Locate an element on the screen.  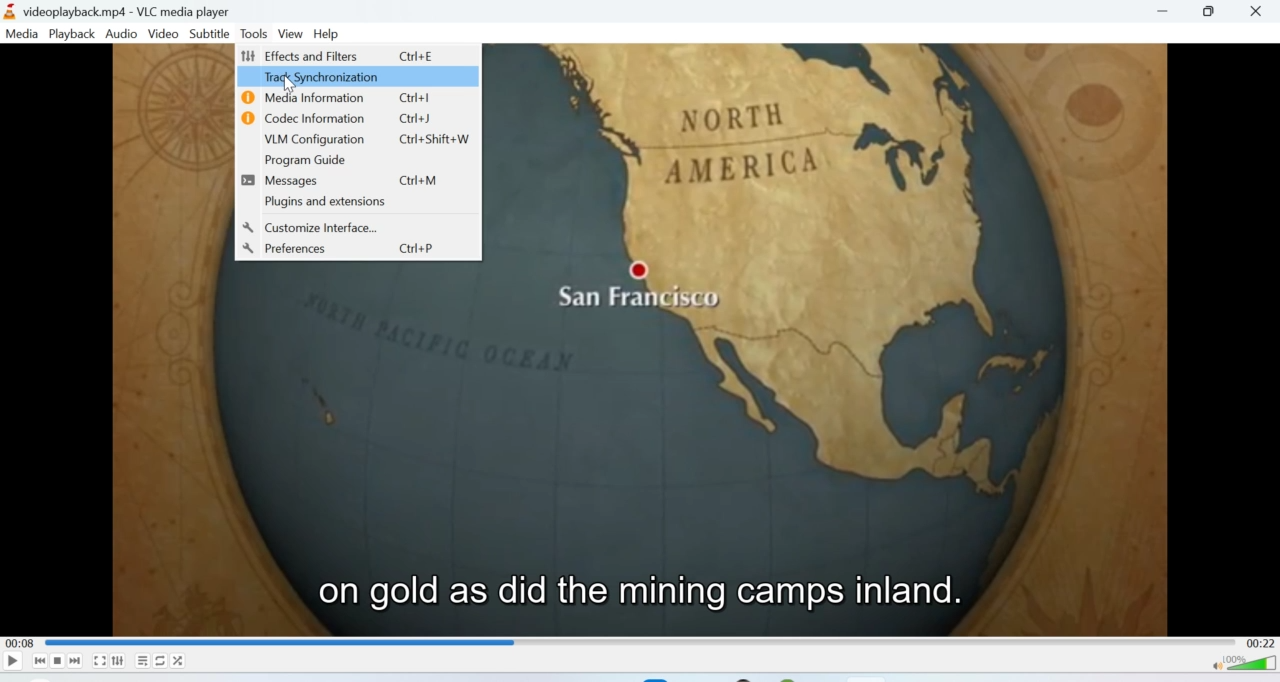
Ctrl+P is located at coordinates (423, 249).